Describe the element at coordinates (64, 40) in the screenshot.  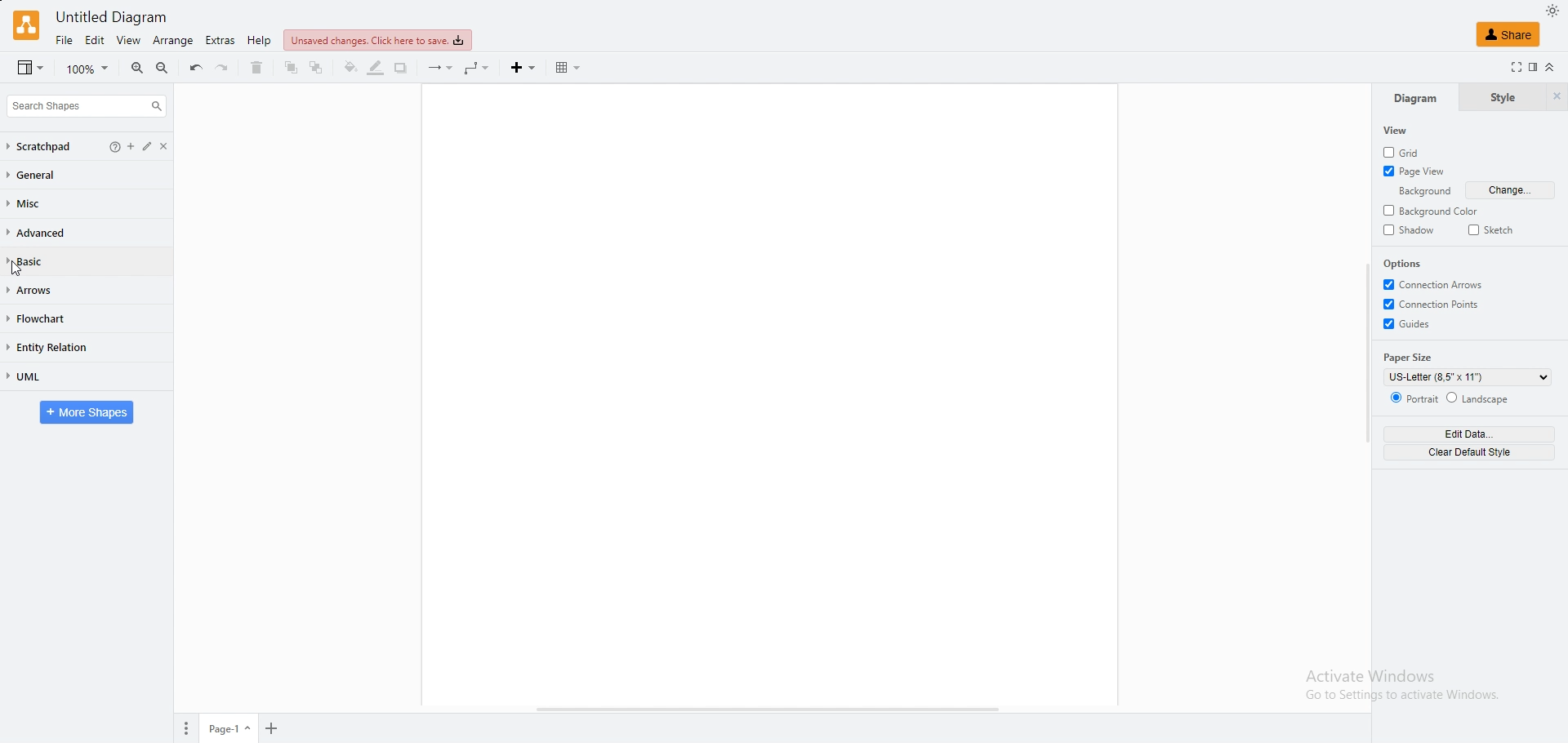
I see `file` at that location.